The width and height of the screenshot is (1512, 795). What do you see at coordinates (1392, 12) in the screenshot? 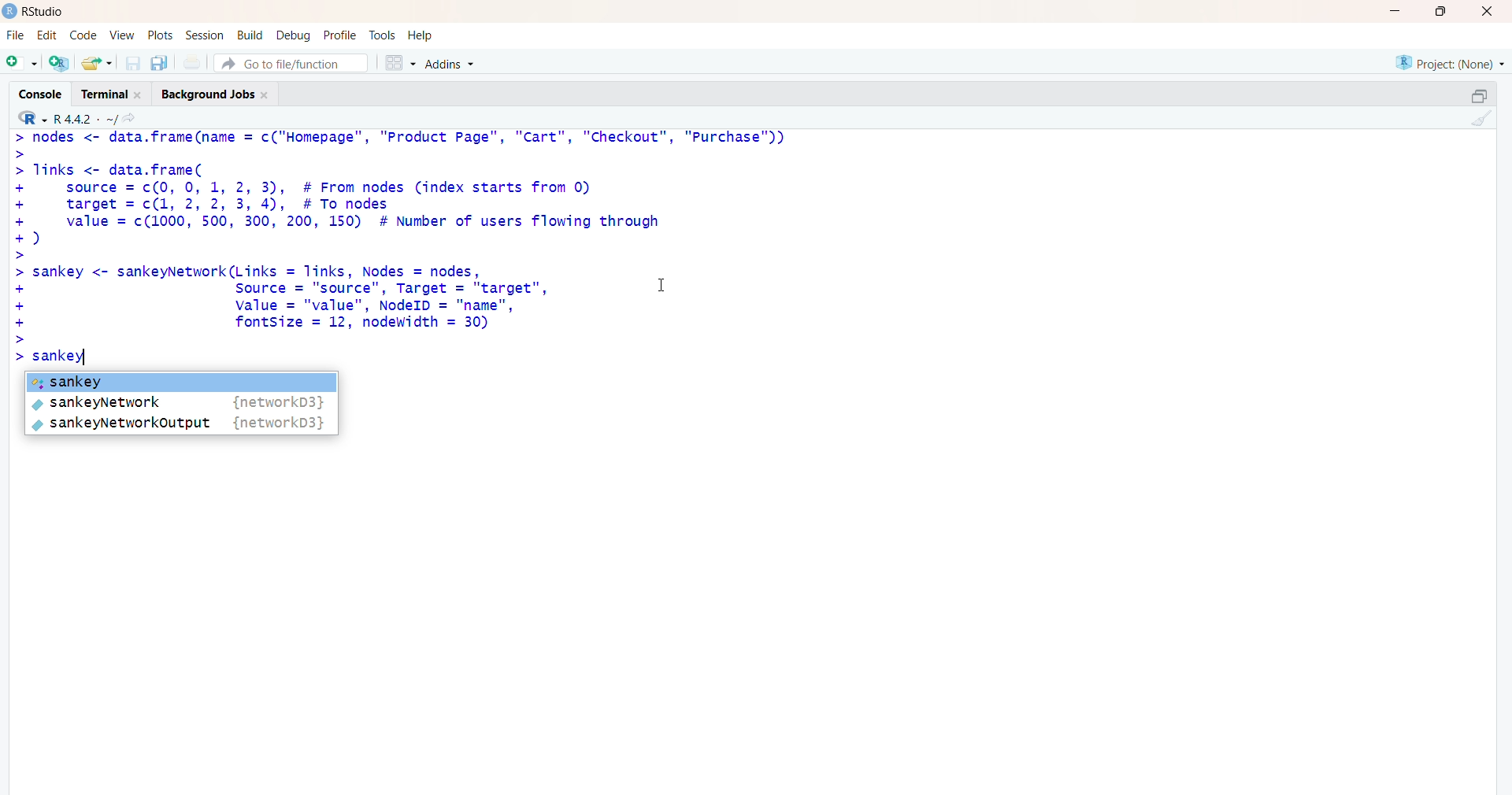
I see `minimize` at bounding box center [1392, 12].